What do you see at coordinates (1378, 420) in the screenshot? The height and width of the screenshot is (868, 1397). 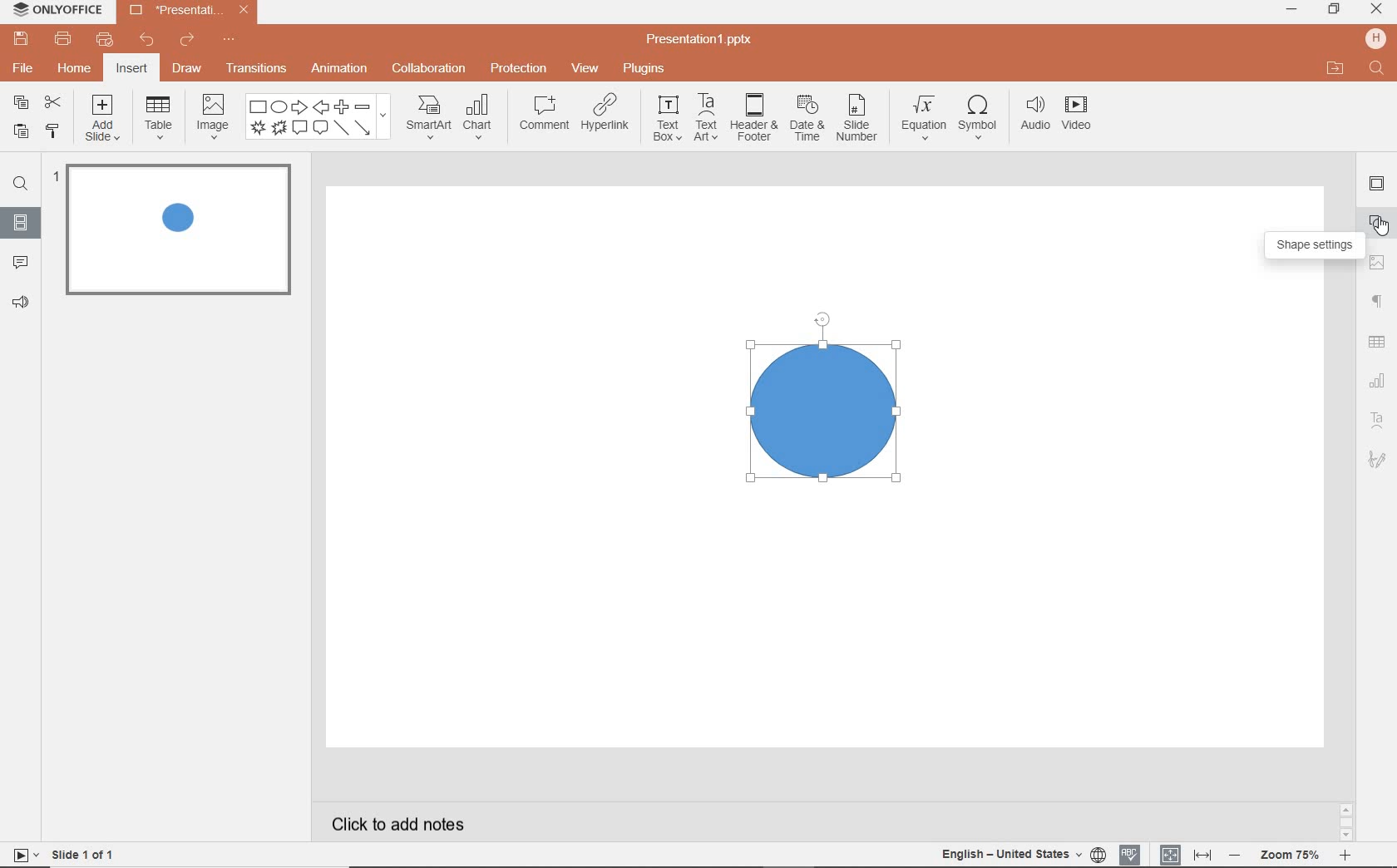 I see `text art` at bounding box center [1378, 420].